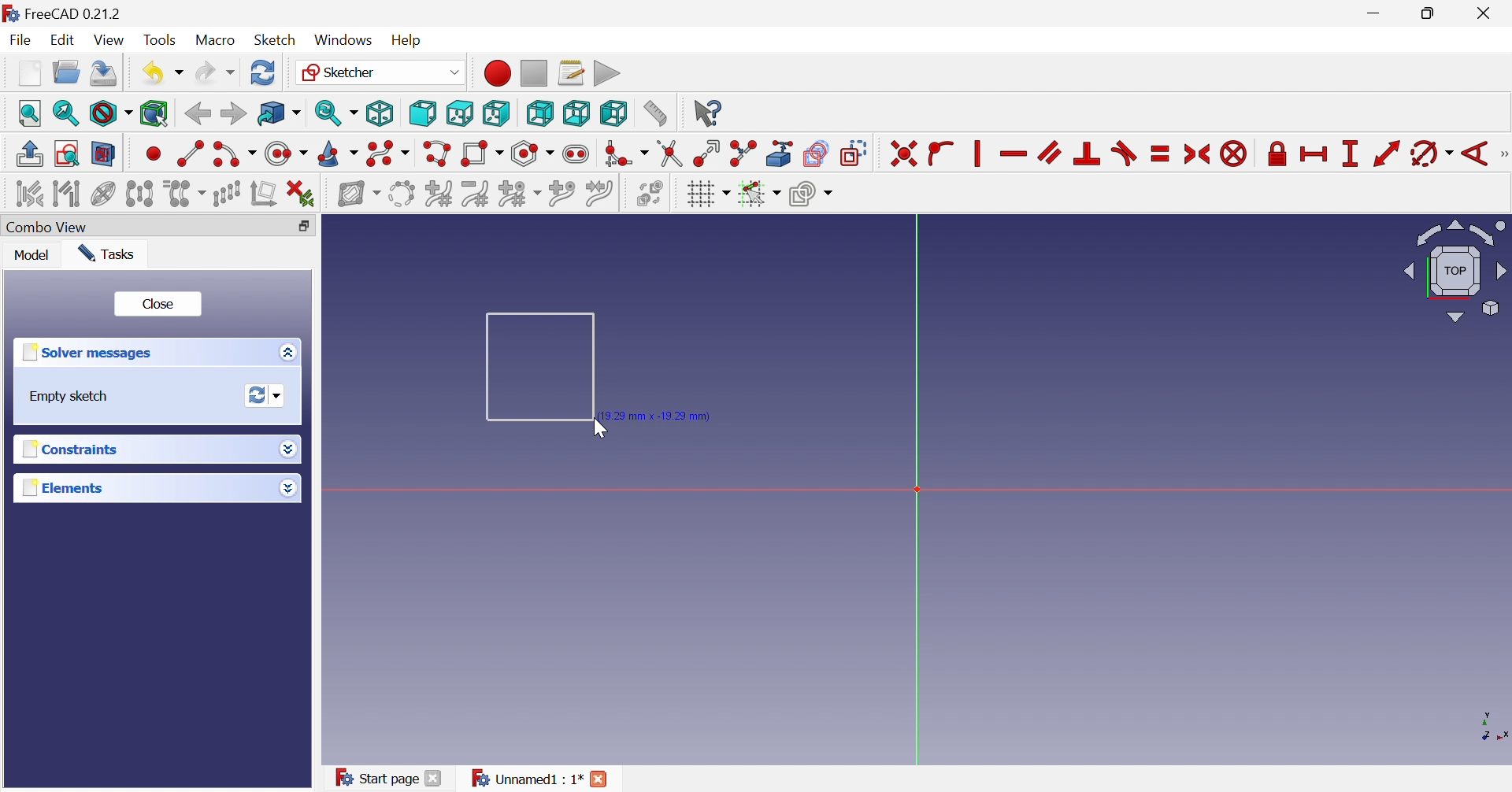  What do you see at coordinates (475, 194) in the screenshot?
I see `Decrease B-spline degree` at bounding box center [475, 194].